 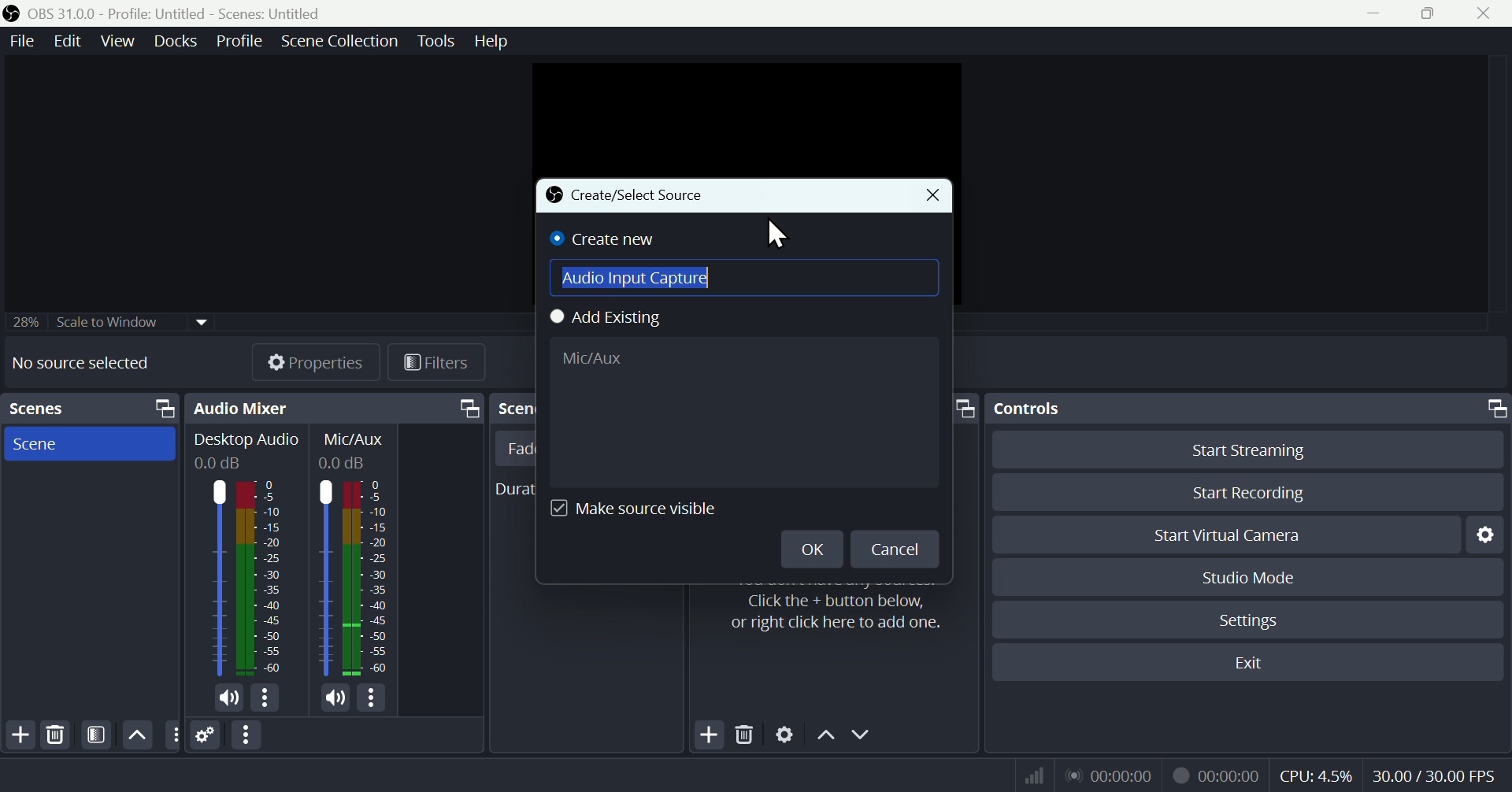 What do you see at coordinates (206, 736) in the screenshot?
I see `Settings` at bounding box center [206, 736].